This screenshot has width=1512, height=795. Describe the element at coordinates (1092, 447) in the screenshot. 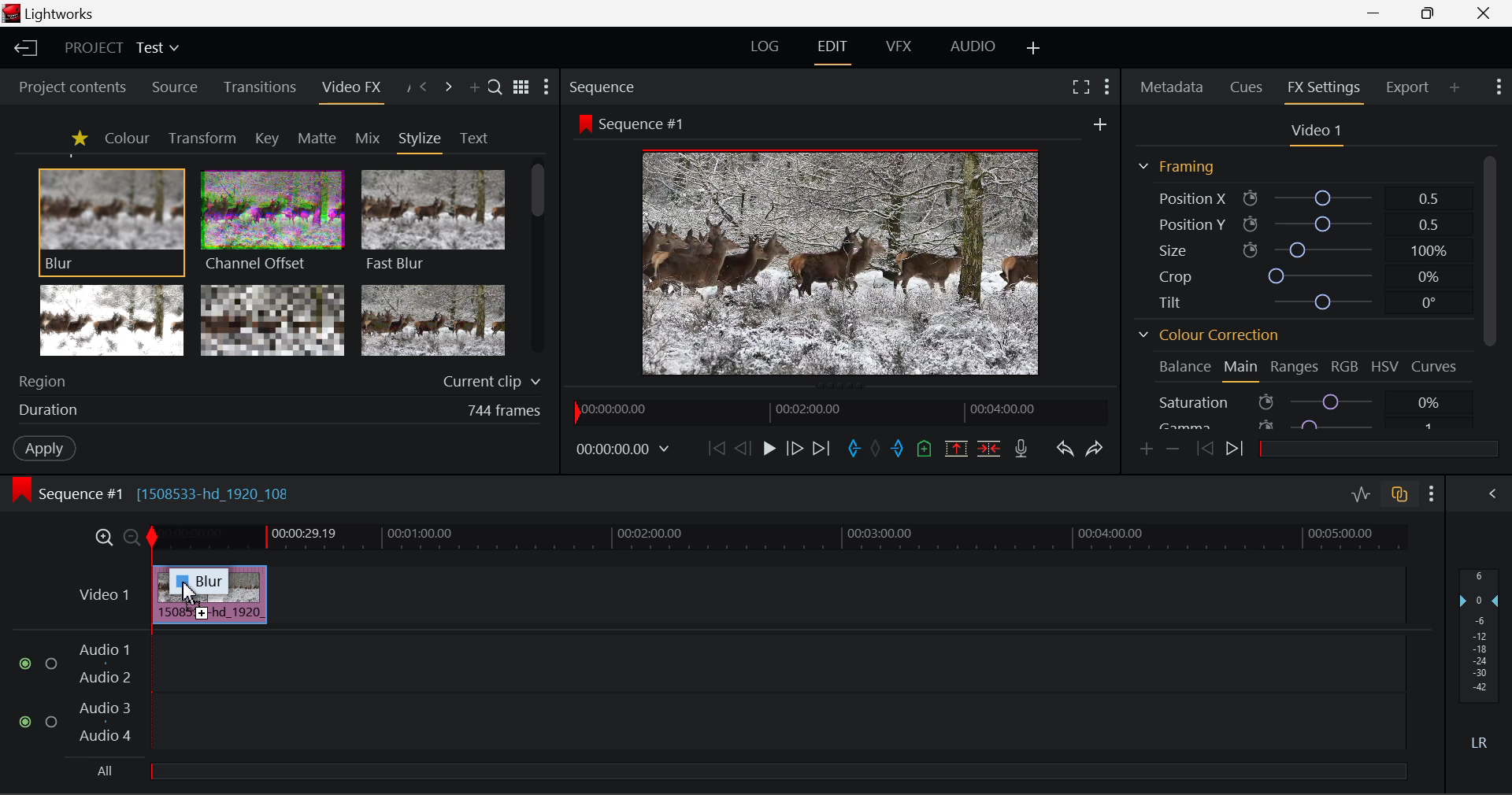

I see `Redo` at that location.